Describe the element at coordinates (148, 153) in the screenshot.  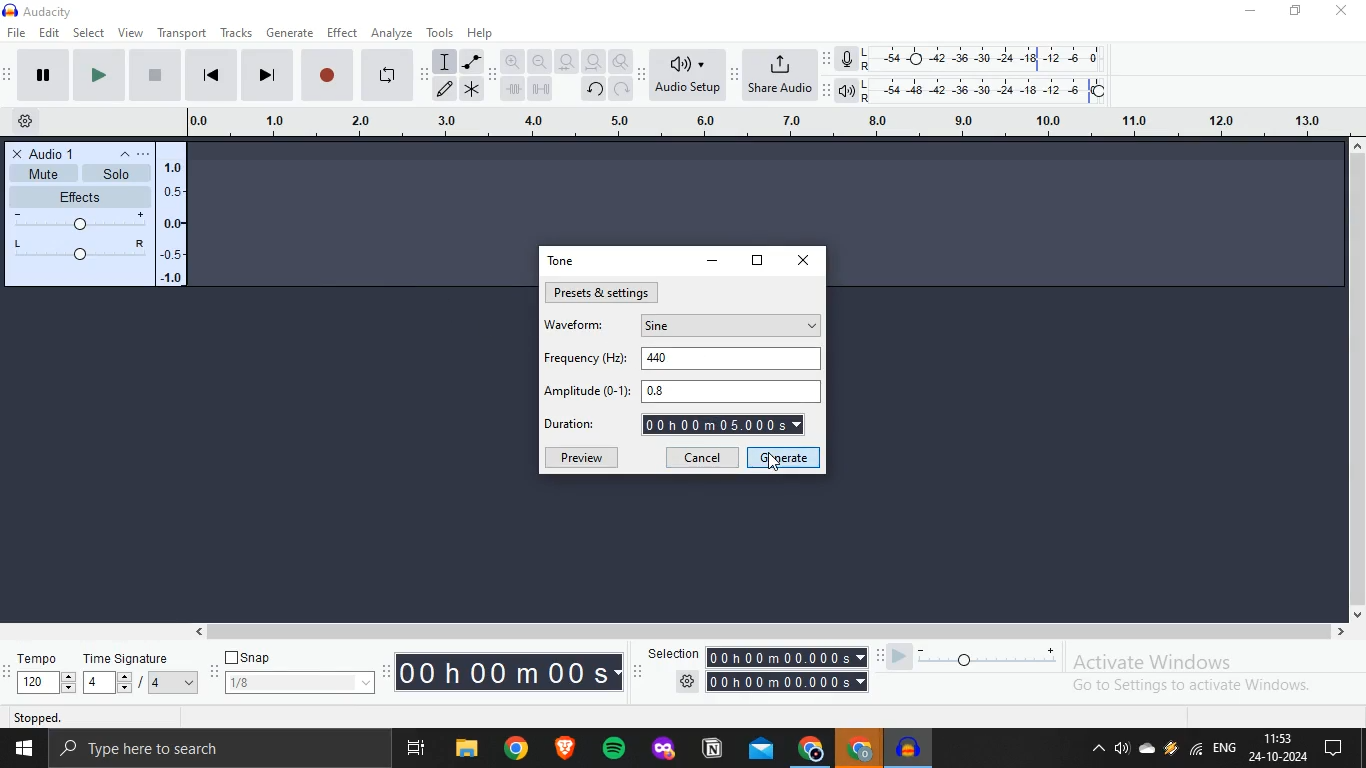
I see `More options` at that location.